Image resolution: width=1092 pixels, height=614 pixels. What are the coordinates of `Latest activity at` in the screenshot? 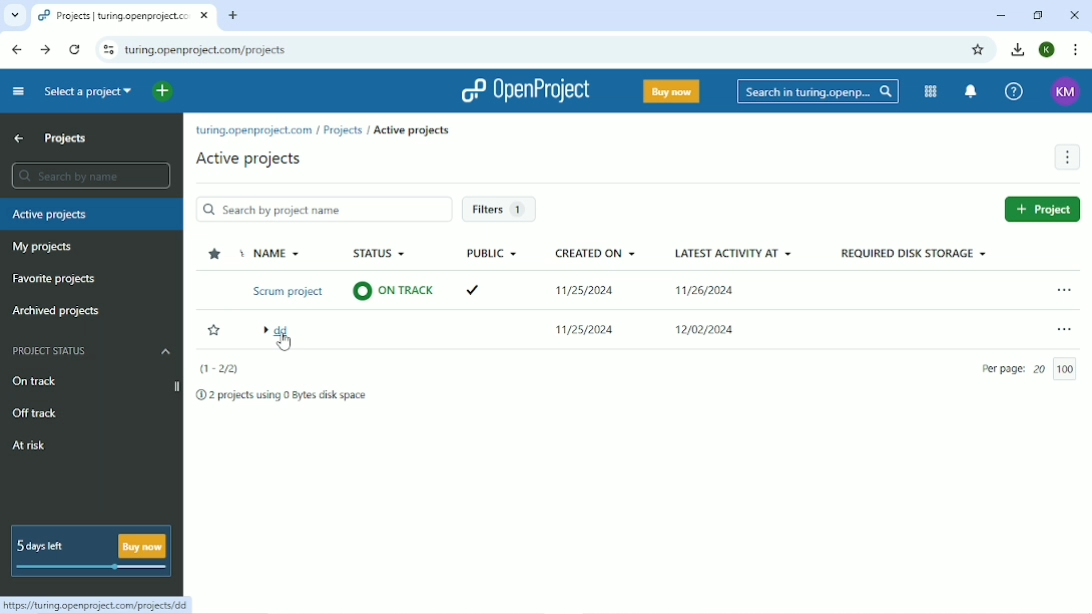 It's located at (730, 294).